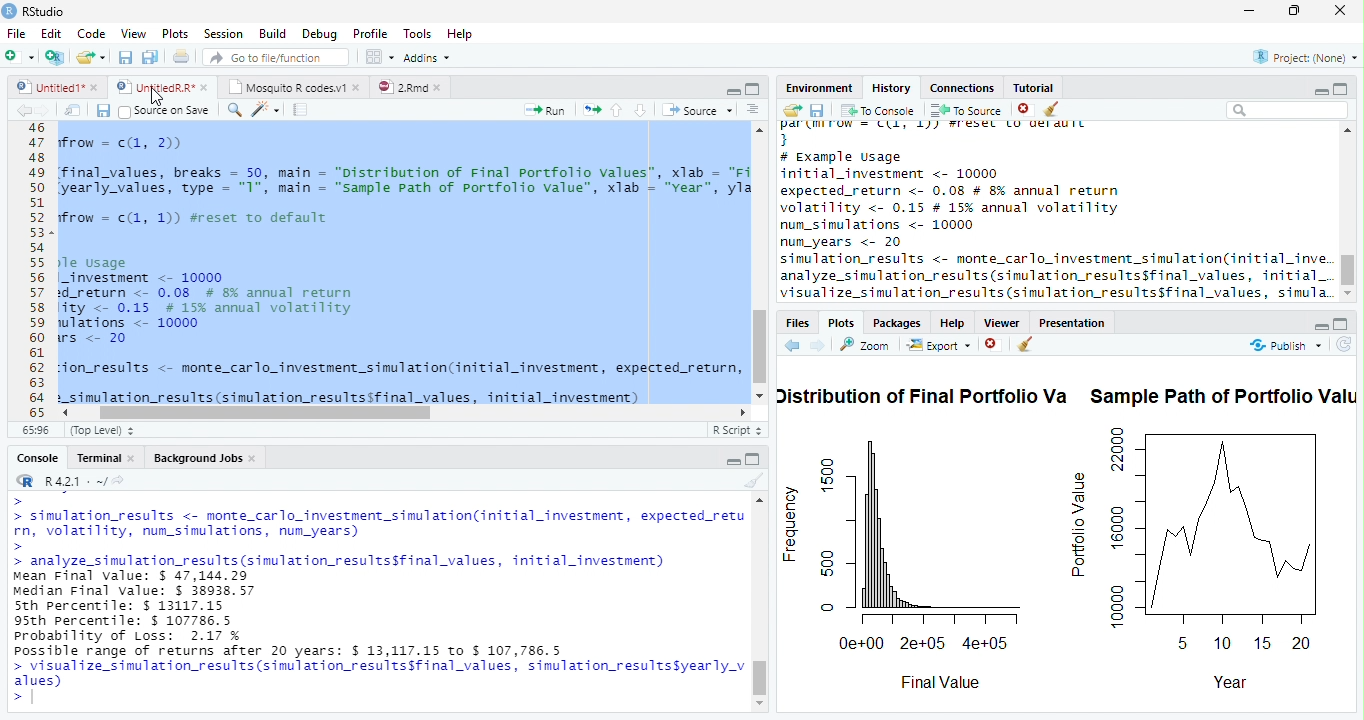 The height and width of the screenshot is (720, 1364). What do you see at coordinates (1288, 110) in the screenshot?
I see `Search` at bounding box center [1288, 110].